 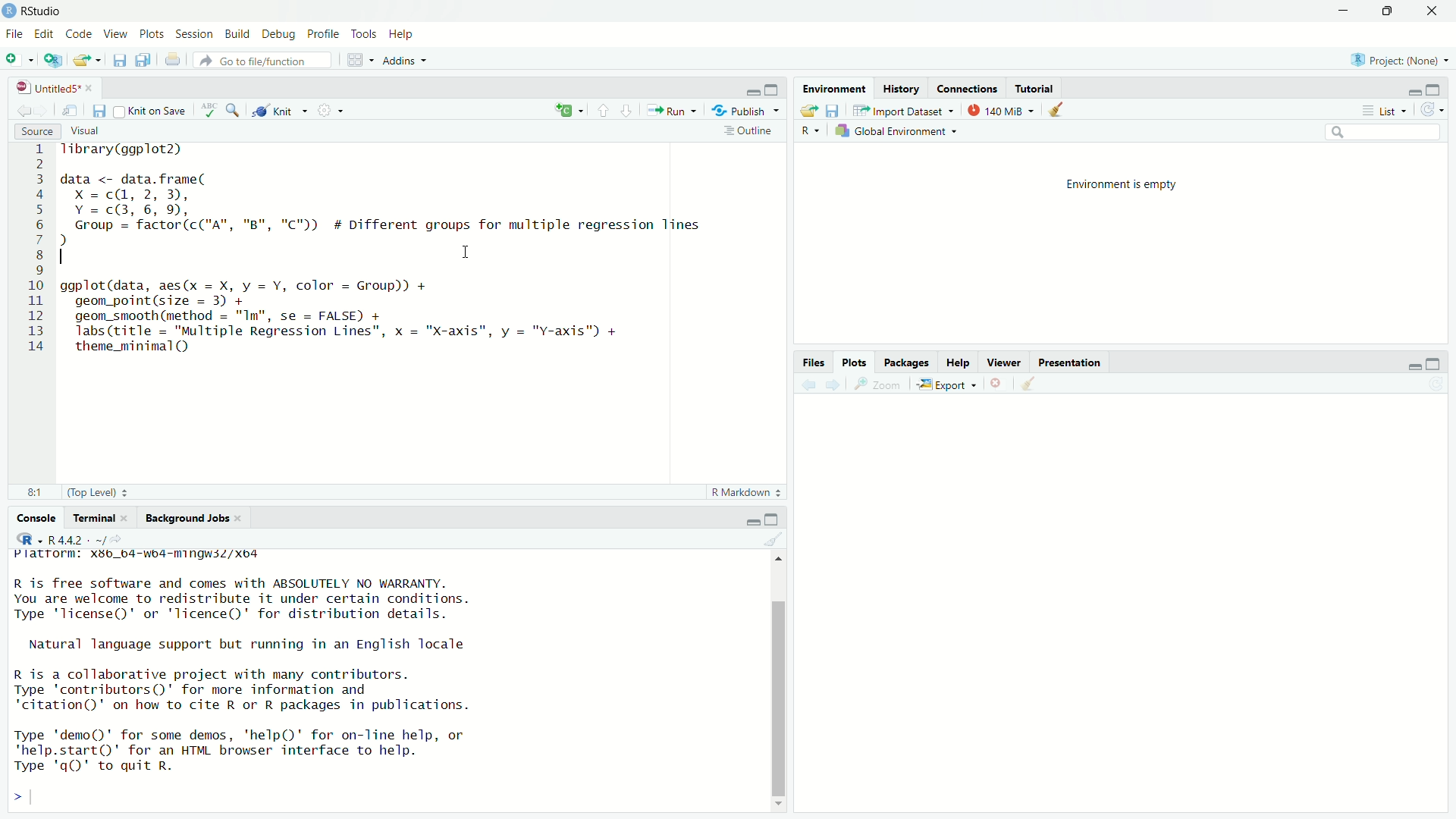 What do you see at coordinates (945, 384) in the screenshot?
I see `Export «` at bounding box center [945, 384].